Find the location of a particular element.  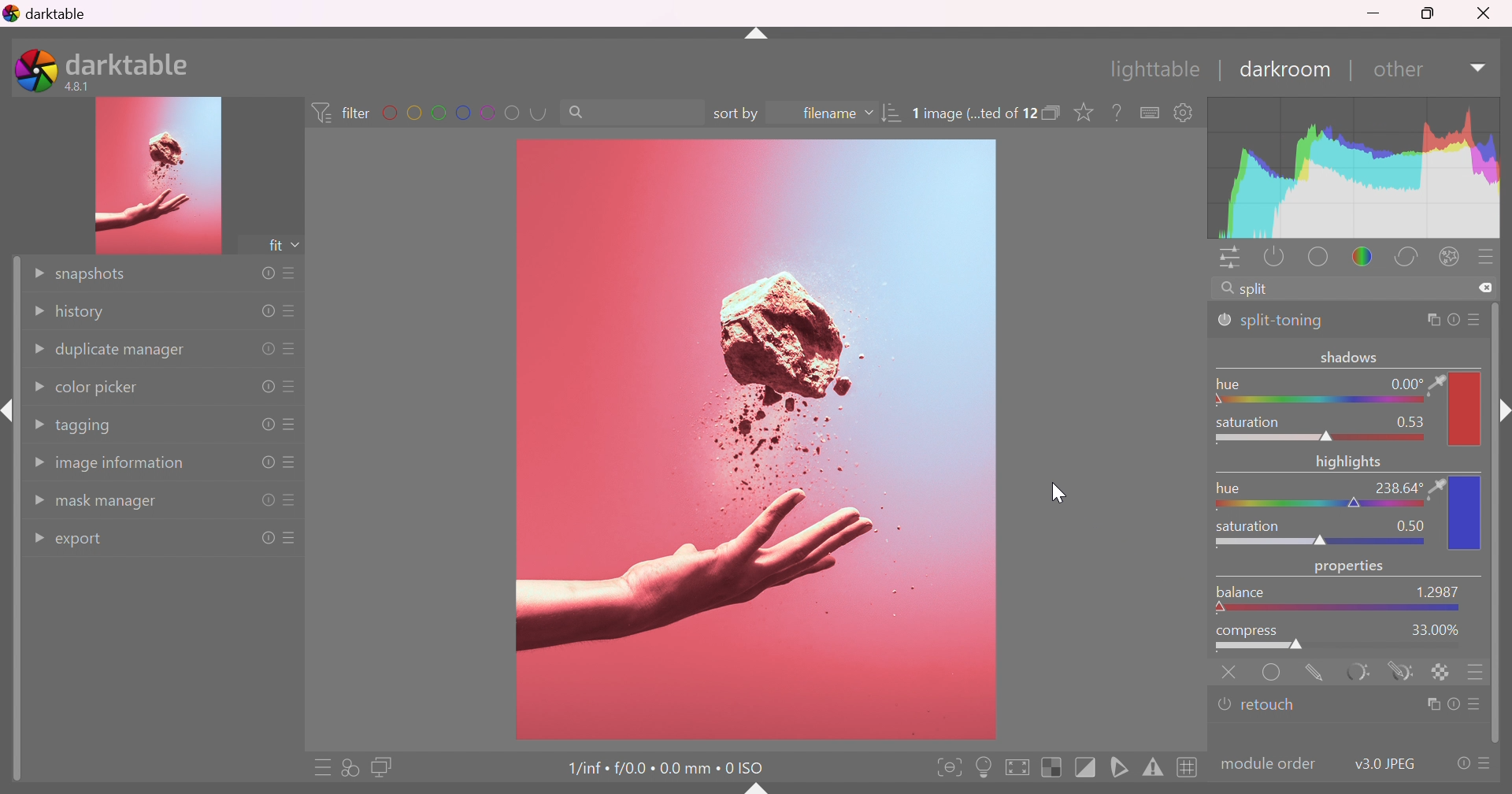

color is located at coordinates (1364, 260).